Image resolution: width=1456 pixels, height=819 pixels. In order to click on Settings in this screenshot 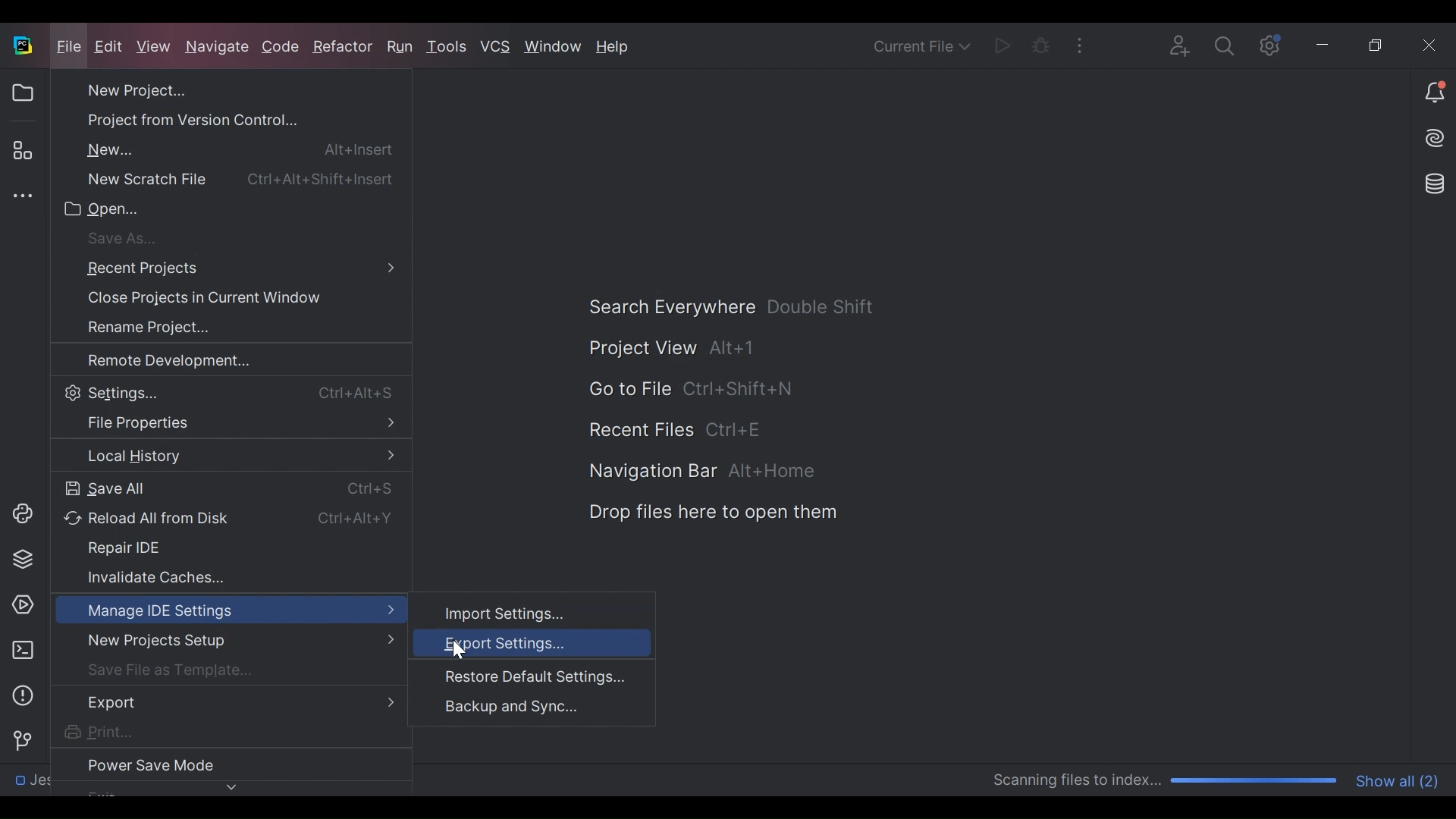, I will do `click(1224, 45)`.